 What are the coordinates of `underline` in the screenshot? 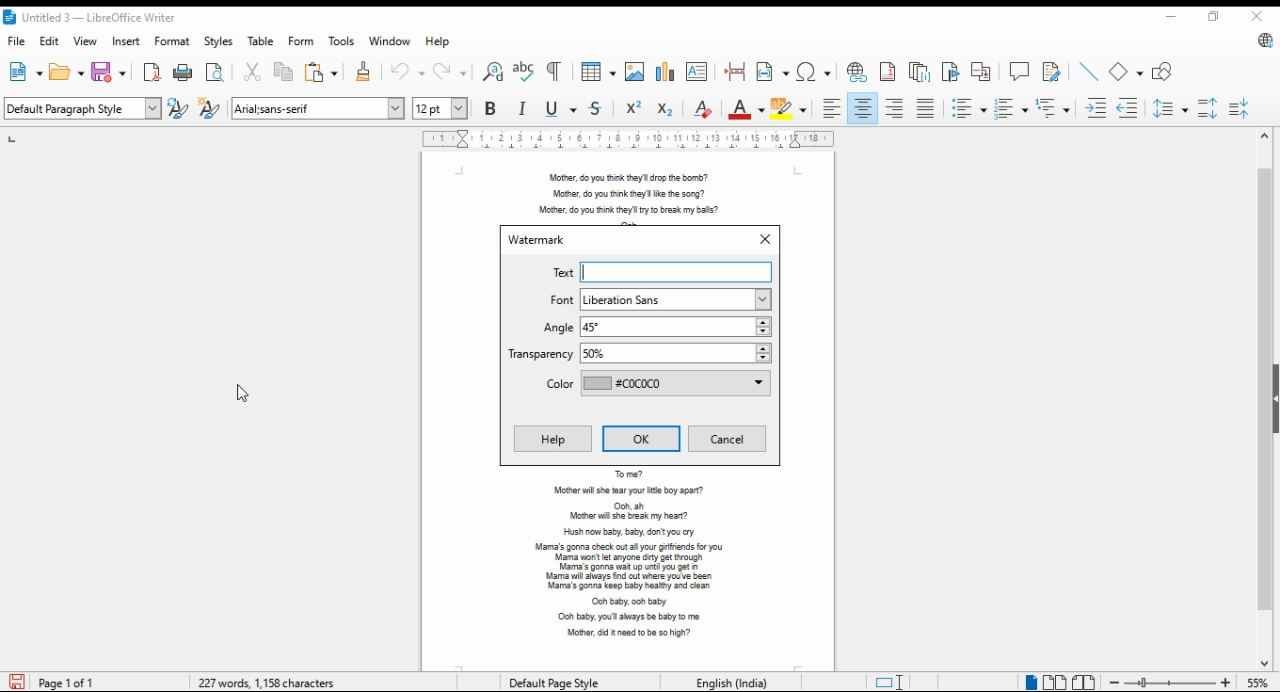 It's located at (558, 108).